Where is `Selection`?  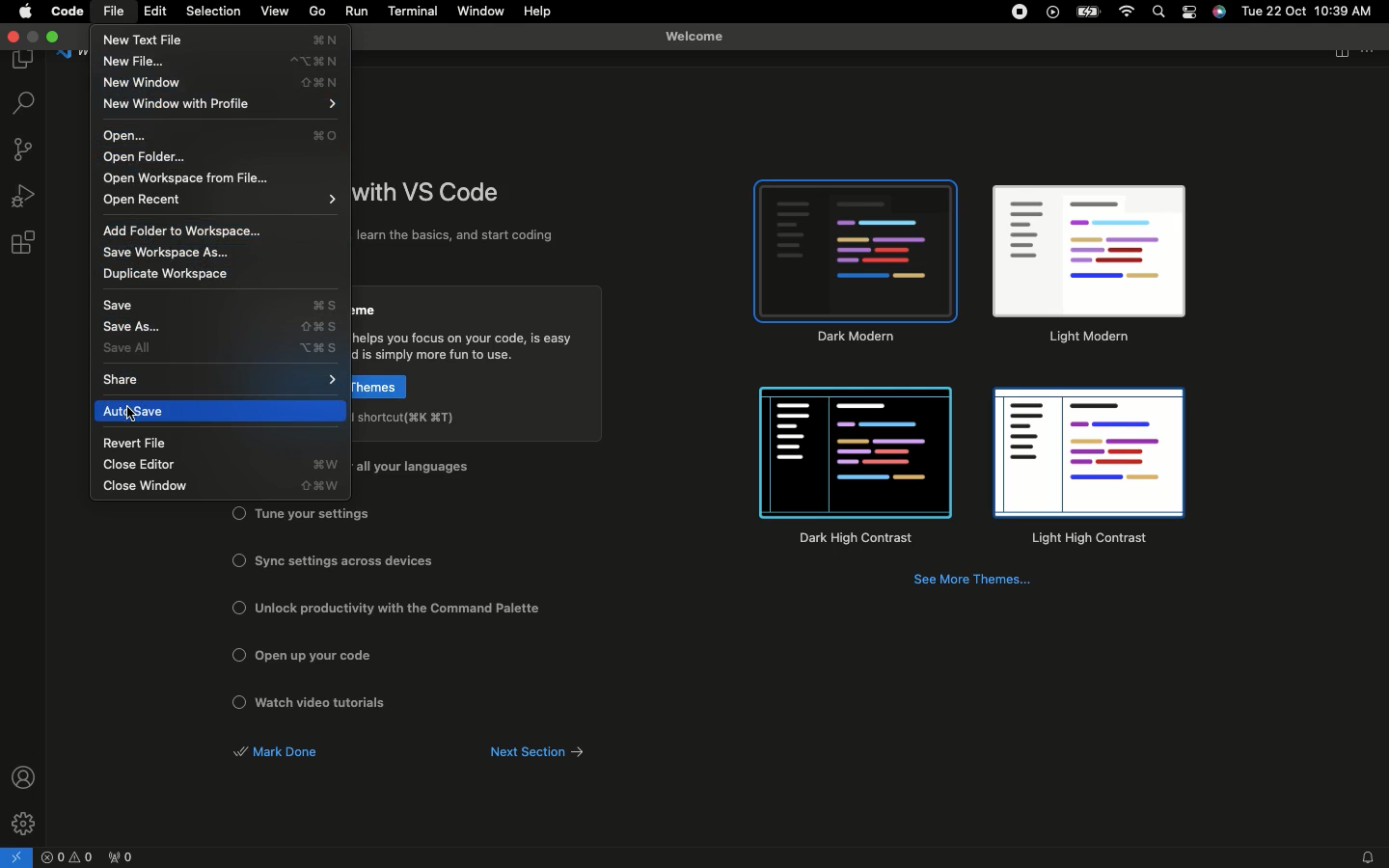
Selection is located at coordinates (216, 12).